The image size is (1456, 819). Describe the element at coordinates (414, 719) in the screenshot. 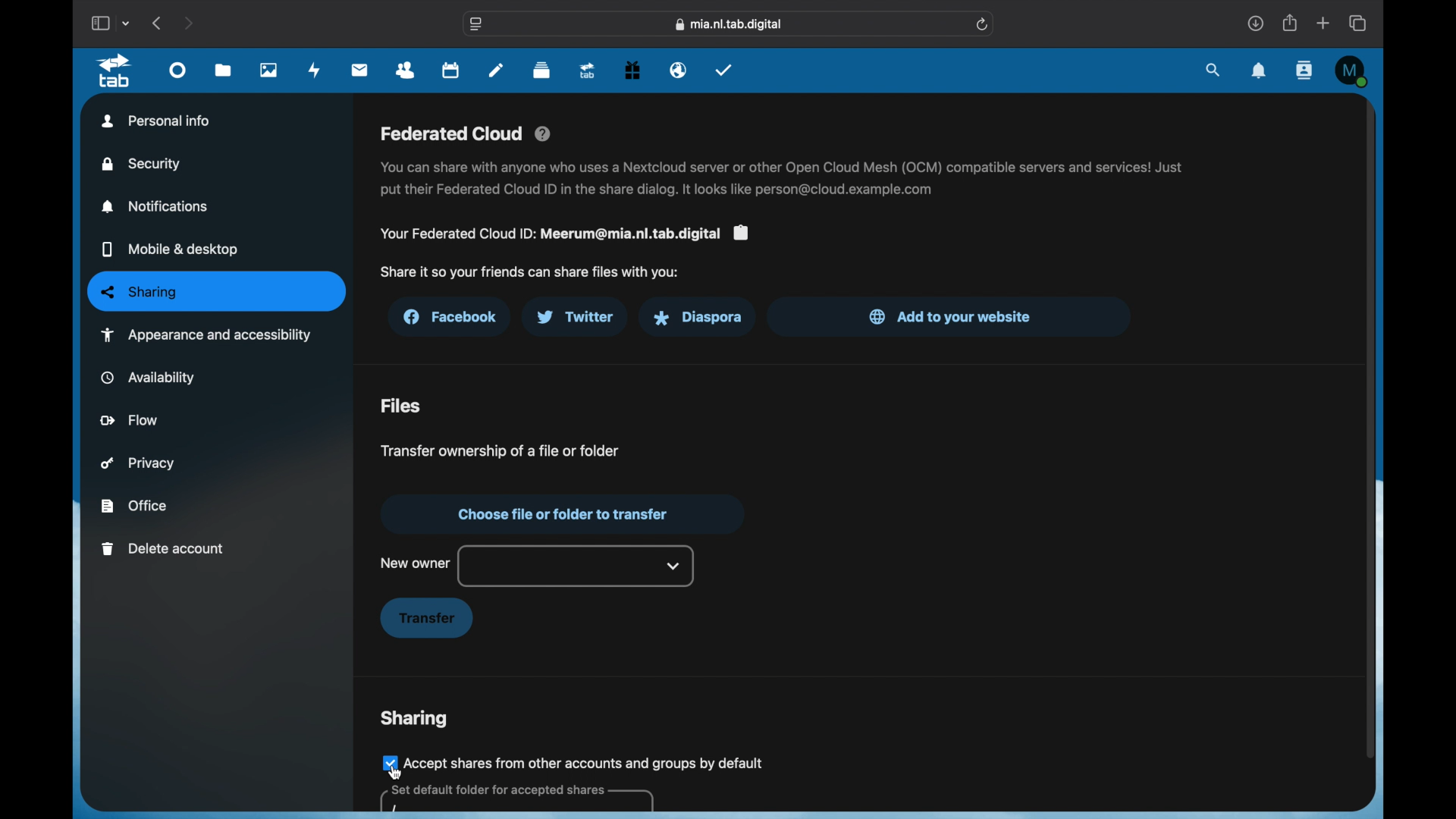

I see `sharing` at that location.